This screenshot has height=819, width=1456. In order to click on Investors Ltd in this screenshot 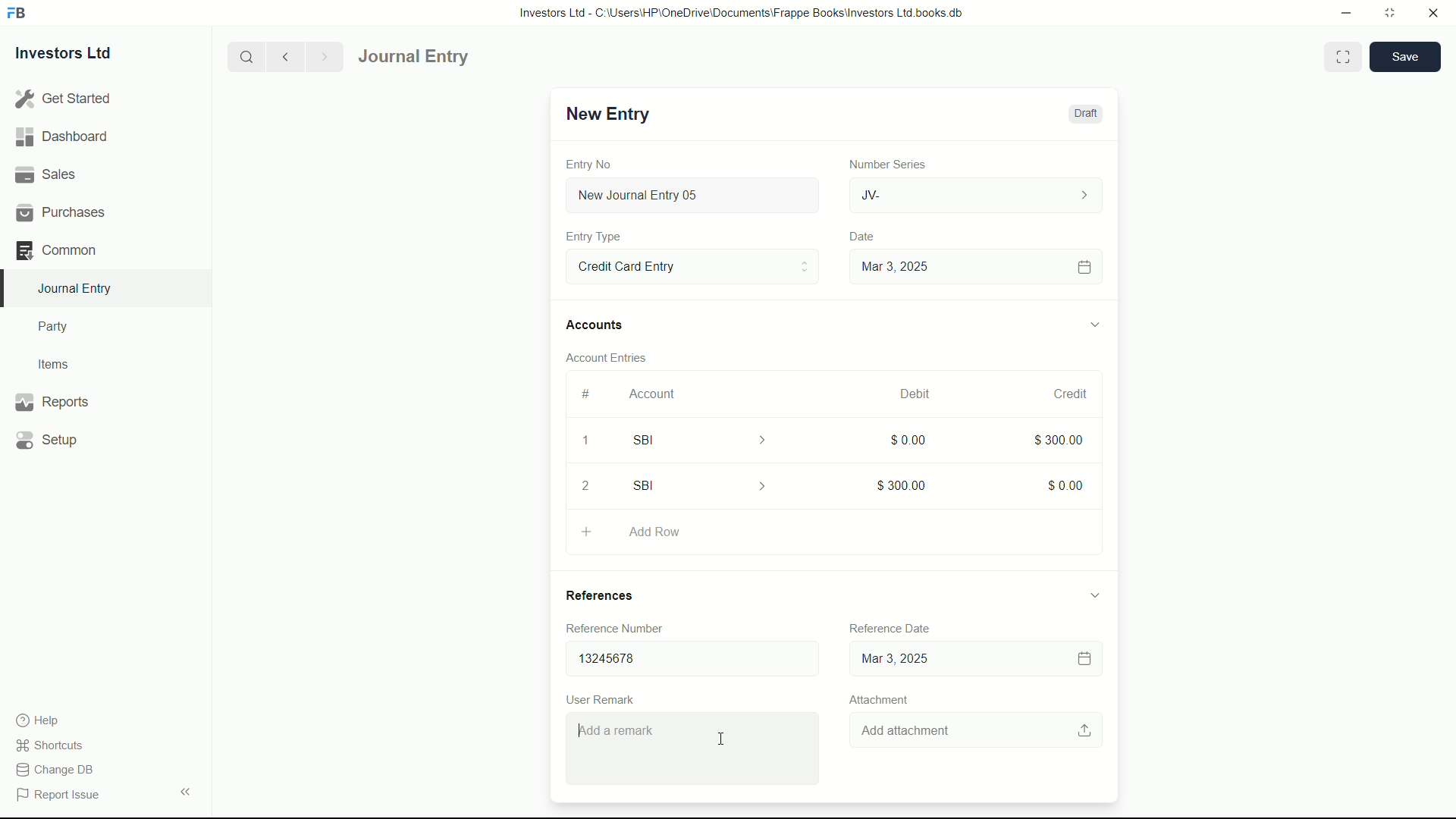, I will do `click(77, 55)`.